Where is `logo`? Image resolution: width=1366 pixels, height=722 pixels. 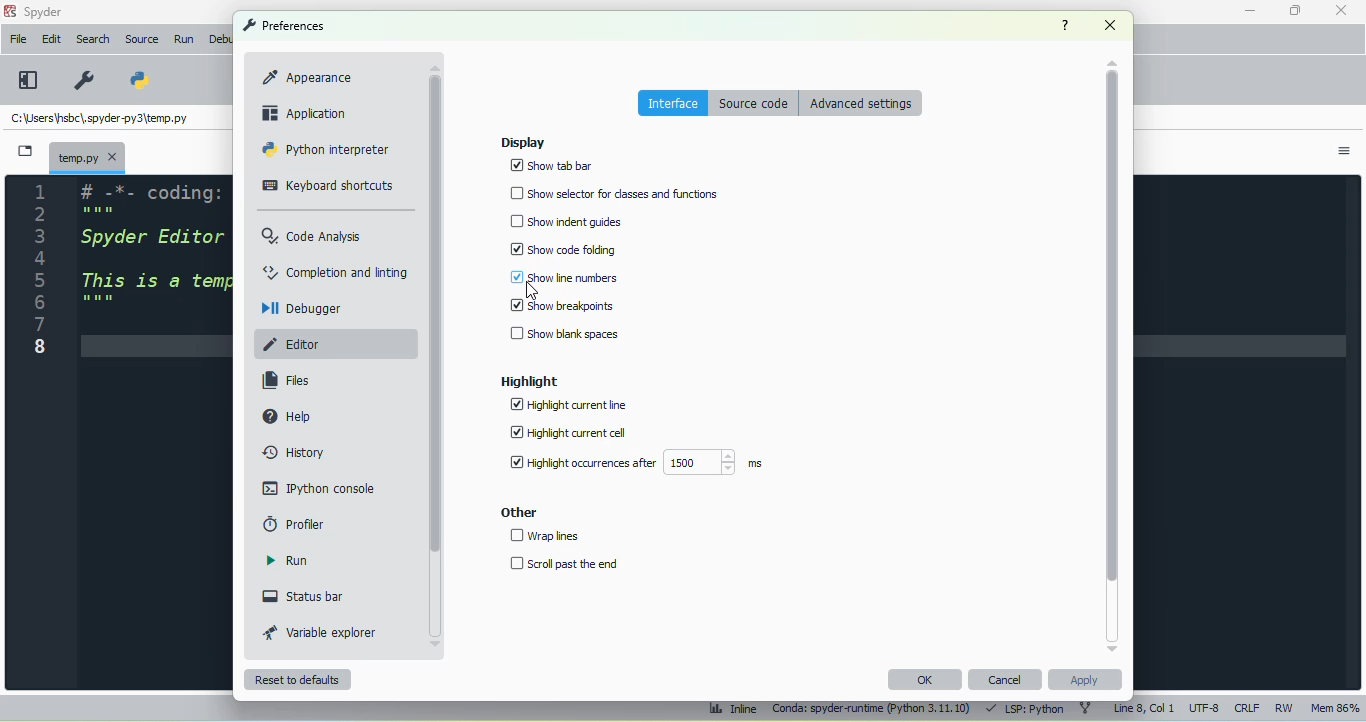
logo is located at coordinates (10, 10).